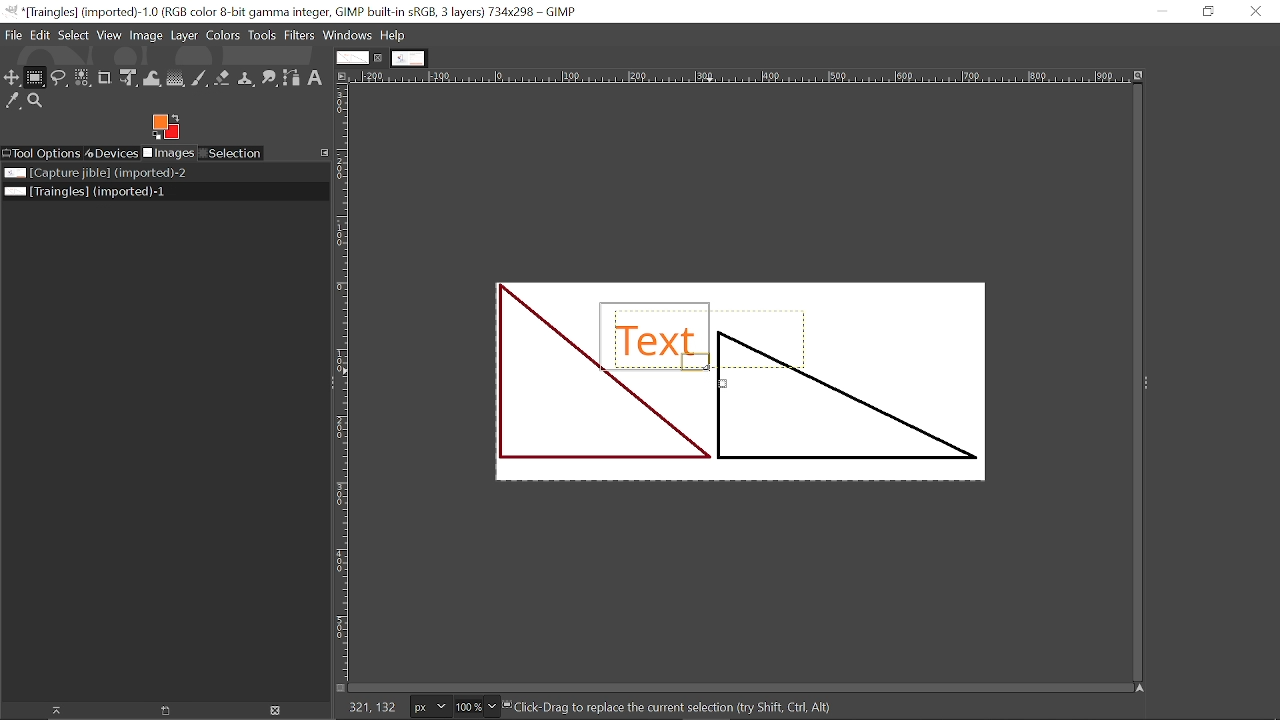 This screenshot has height=720, width=1280. Describe the element at coordinates (347, 36) in the screenshot. I see `Windows` at that location.